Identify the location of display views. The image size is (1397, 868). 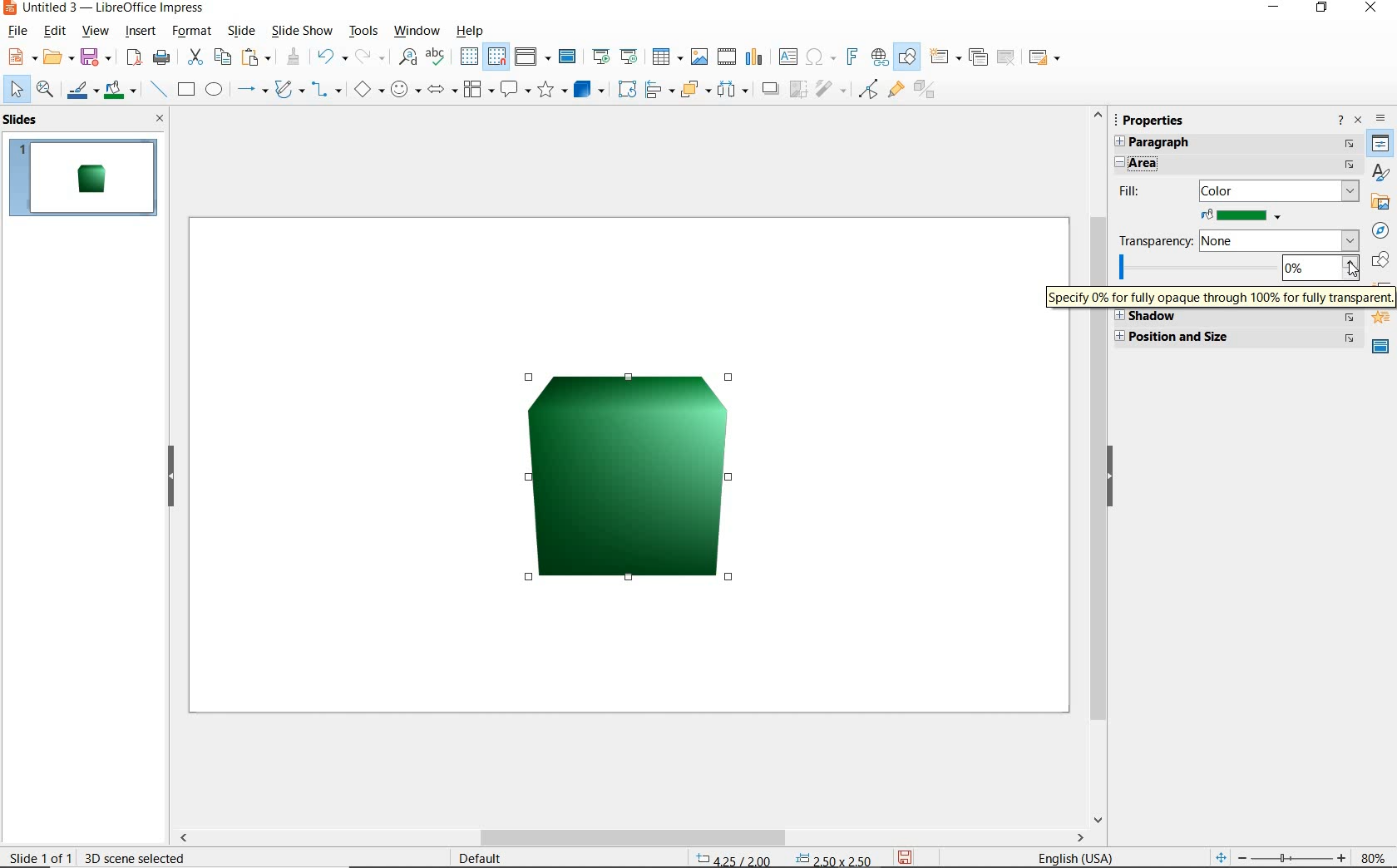
(533, 57).